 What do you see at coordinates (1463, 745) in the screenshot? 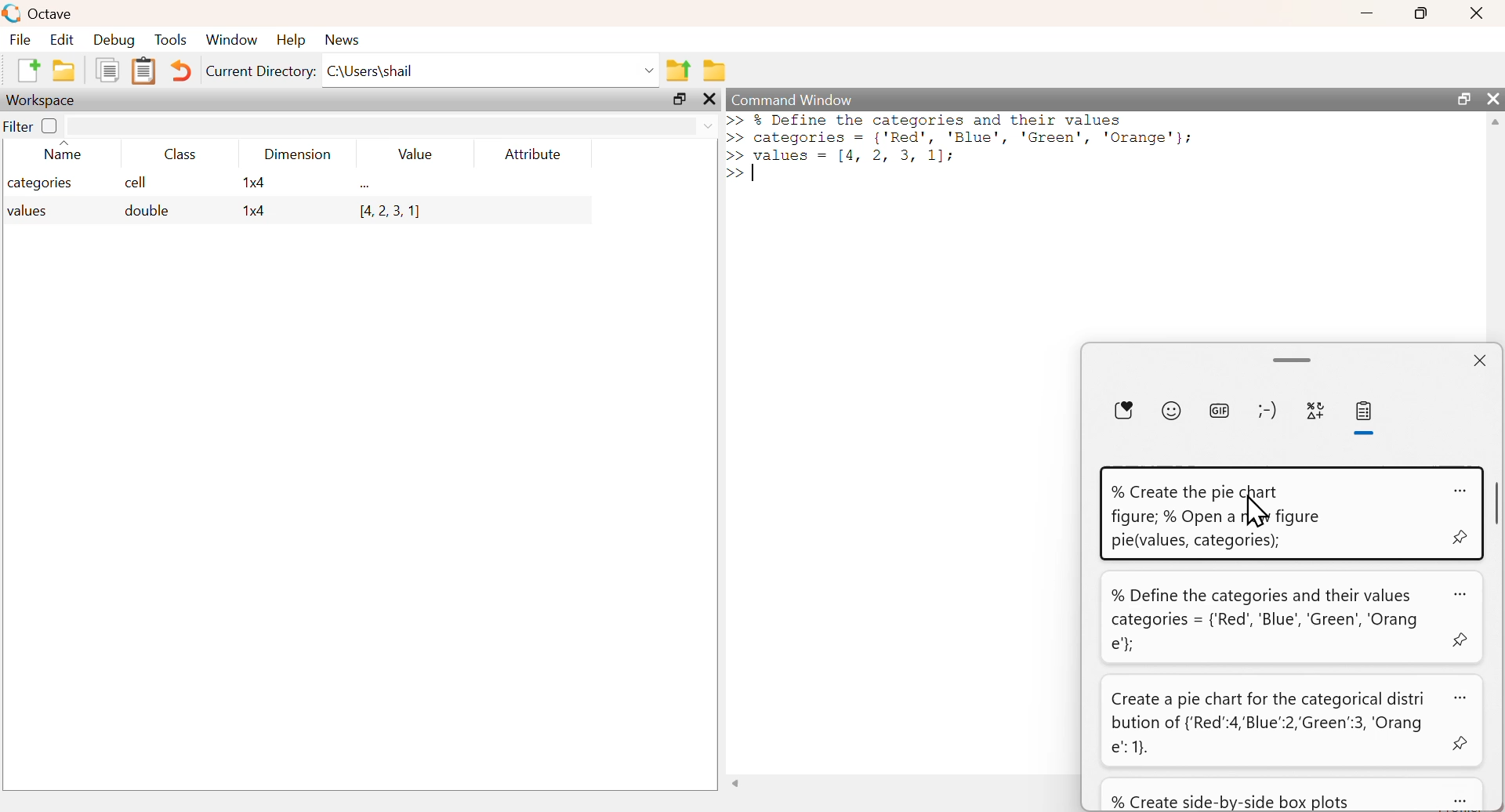
I see `pin` at bounding box center [1463, 745].